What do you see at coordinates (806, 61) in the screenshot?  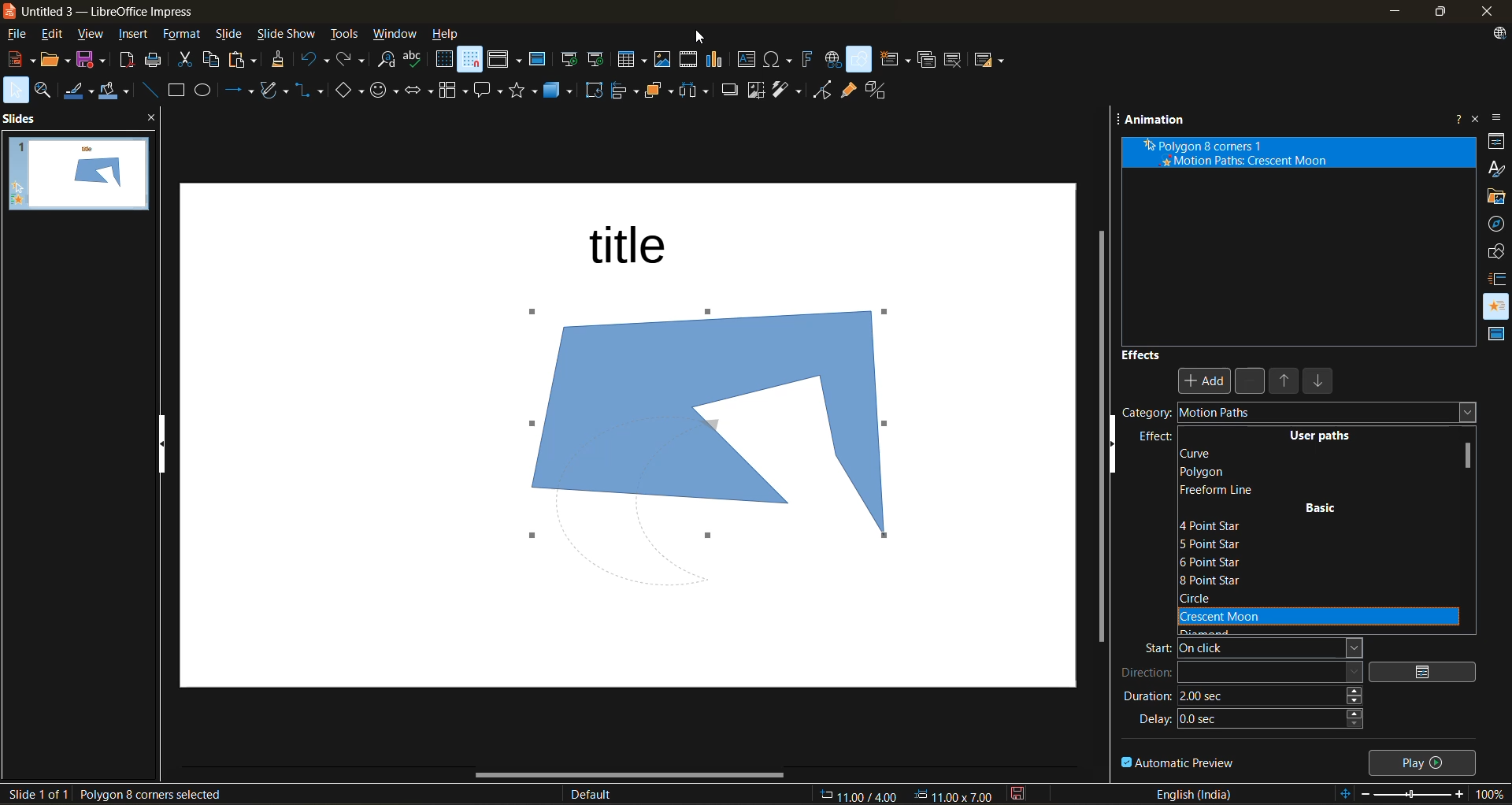 I see `insert fontwork text` at bounding box center [806, 61].